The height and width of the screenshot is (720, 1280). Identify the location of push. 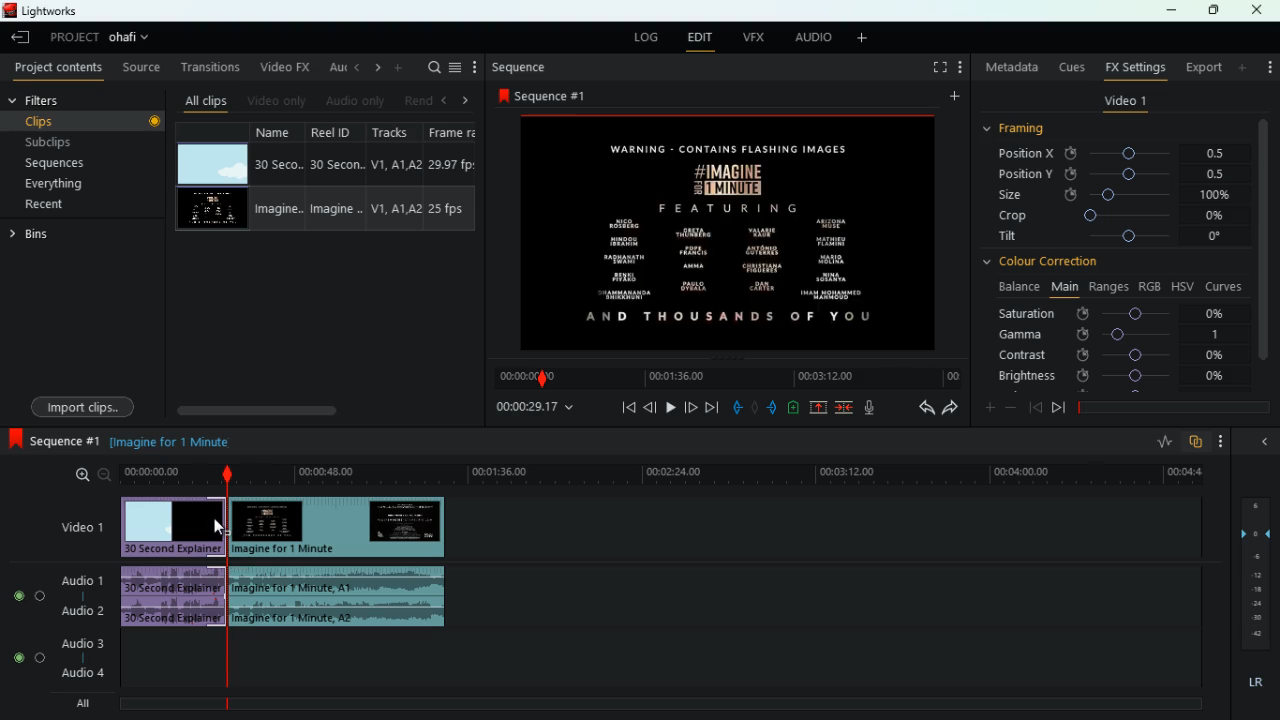
(774, 409).